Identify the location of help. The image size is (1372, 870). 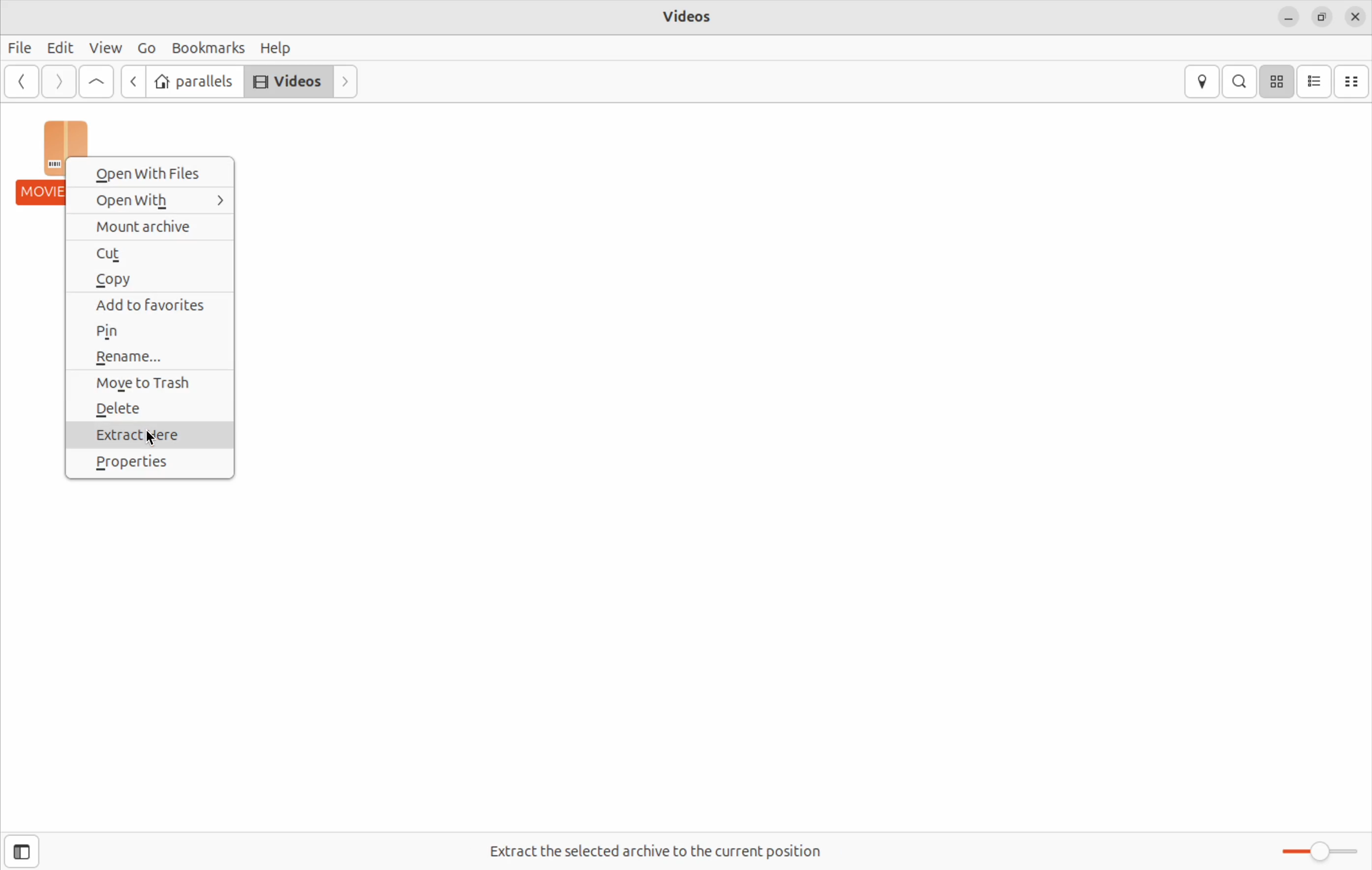
(277, 48).